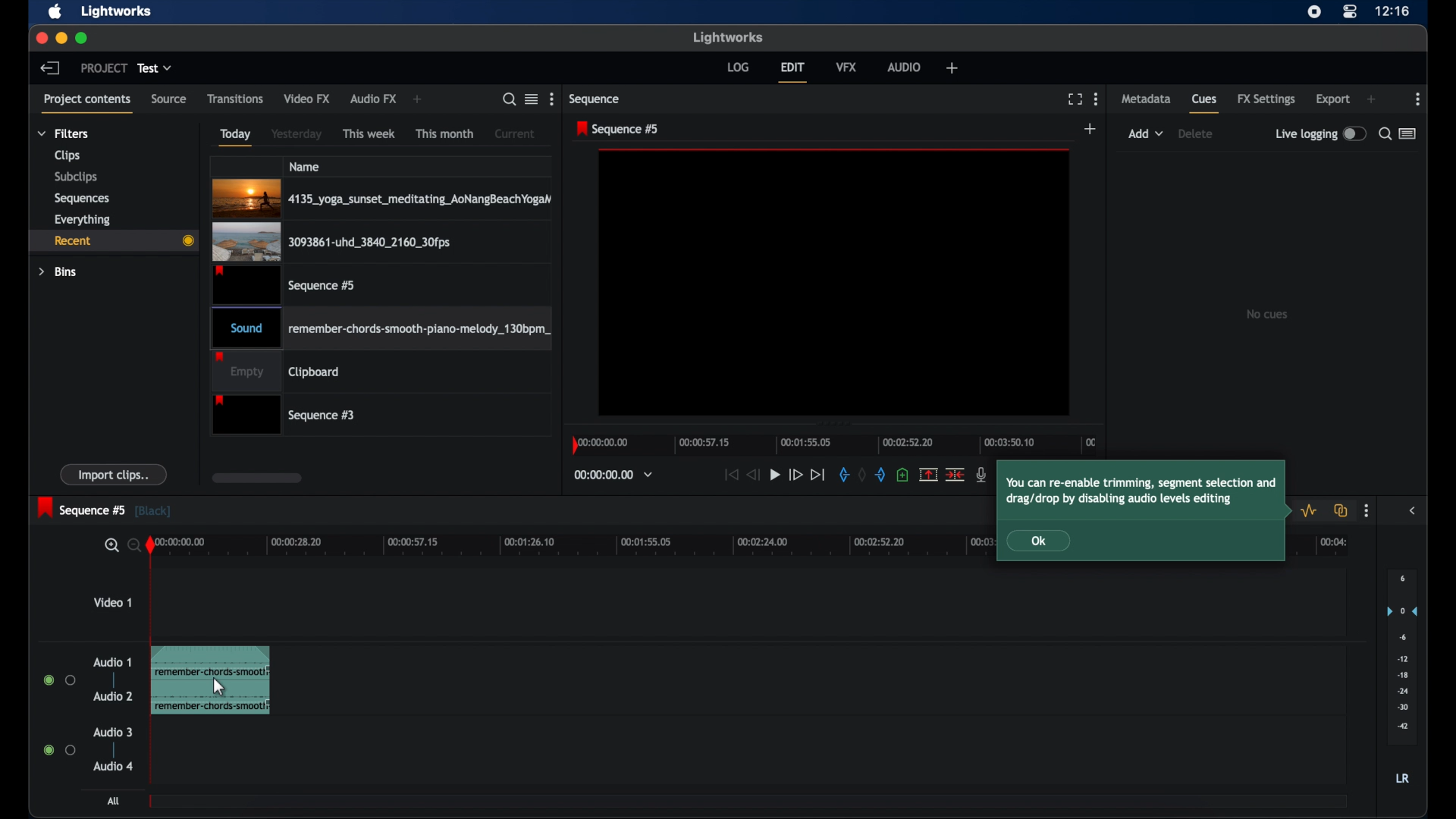 The image size is (1456, 819). Describe the element at coordinates (156, 68) in the screenshot. I see `test` at that location.